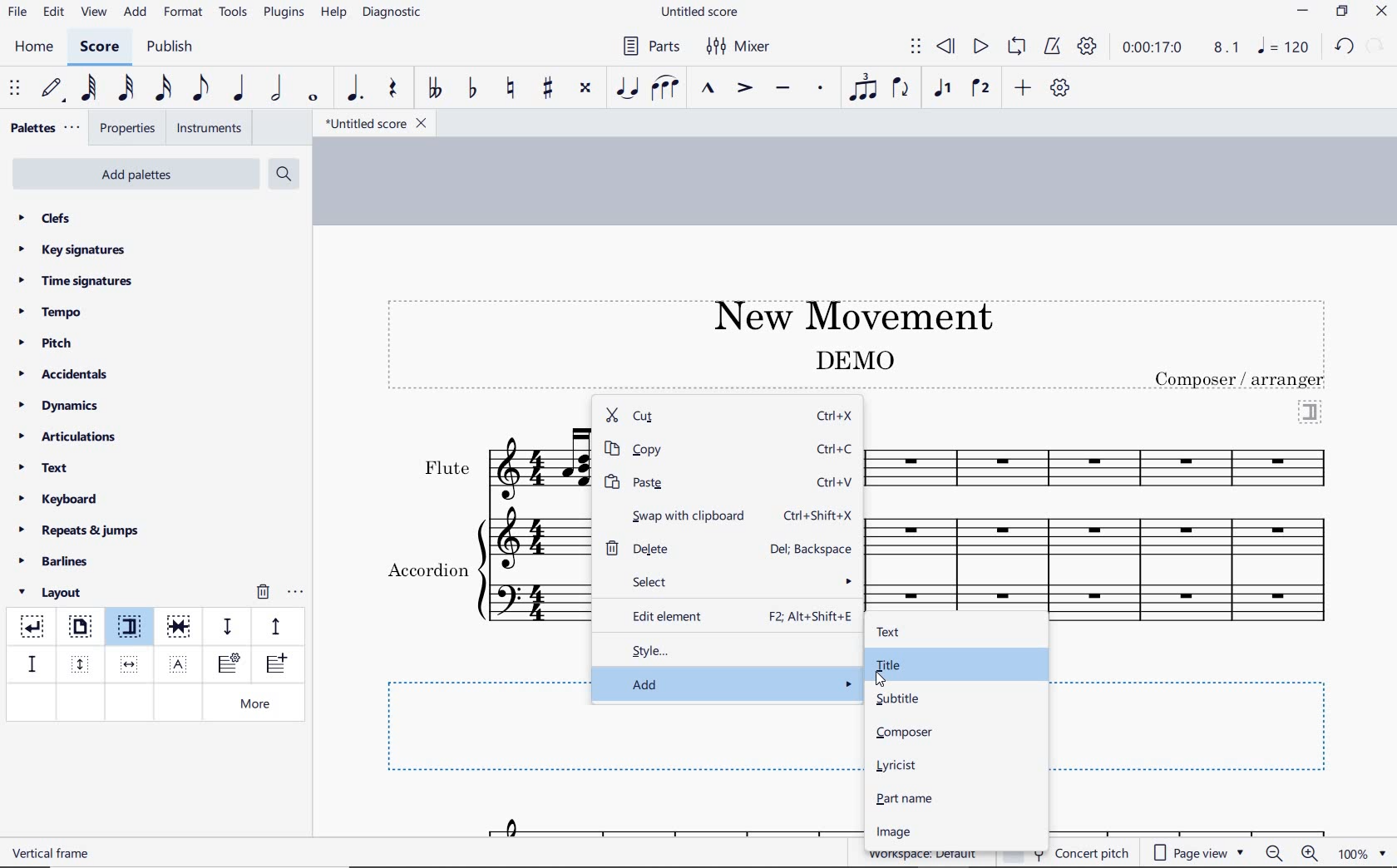 The width and height of the screenshot is (1397, 868). What do you see at coordinates (512, 89) in the screenshot?
I see `toggle natural` at bounding box center [512, 89].